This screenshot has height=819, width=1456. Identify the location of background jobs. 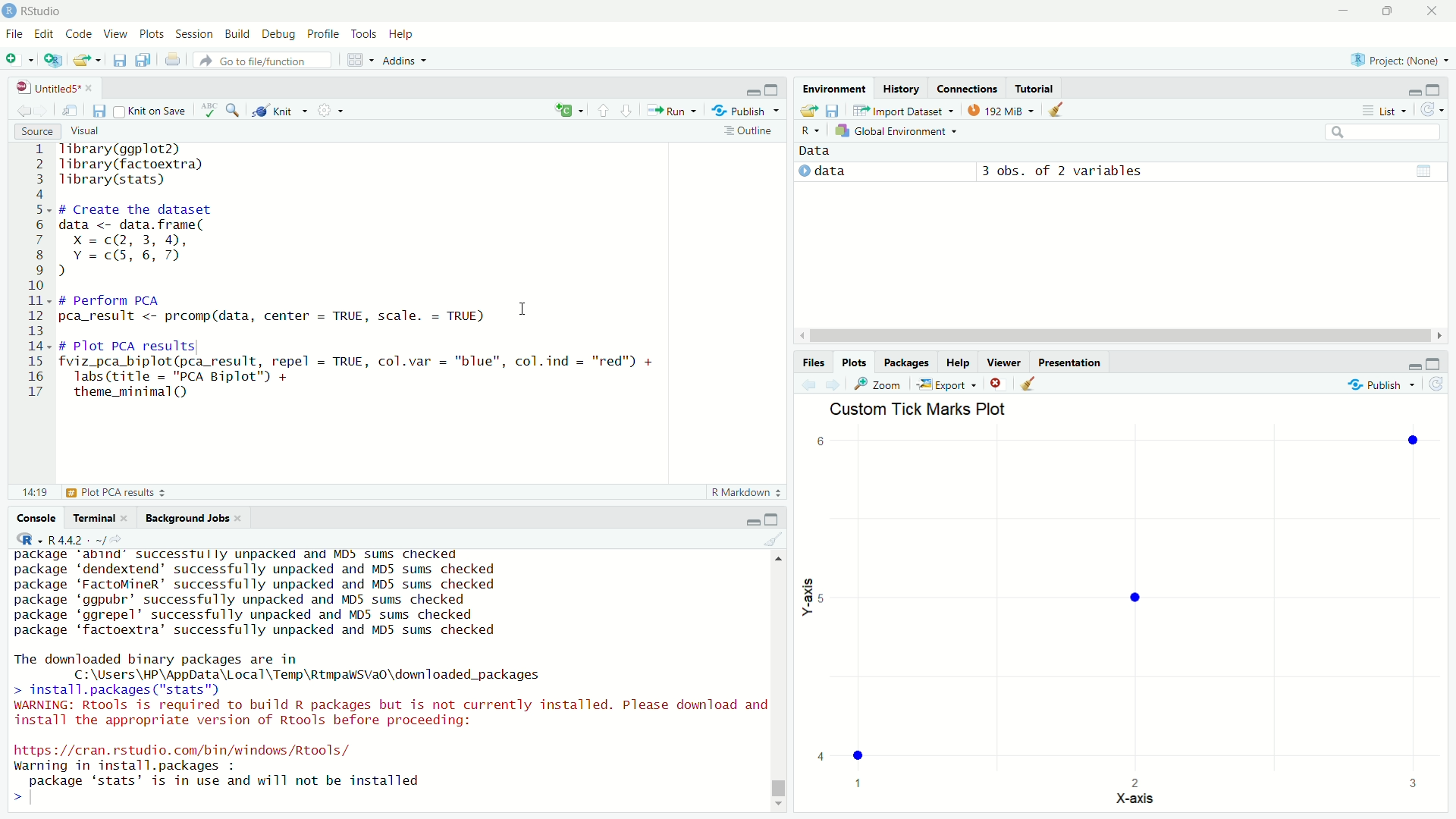
(193, 518).